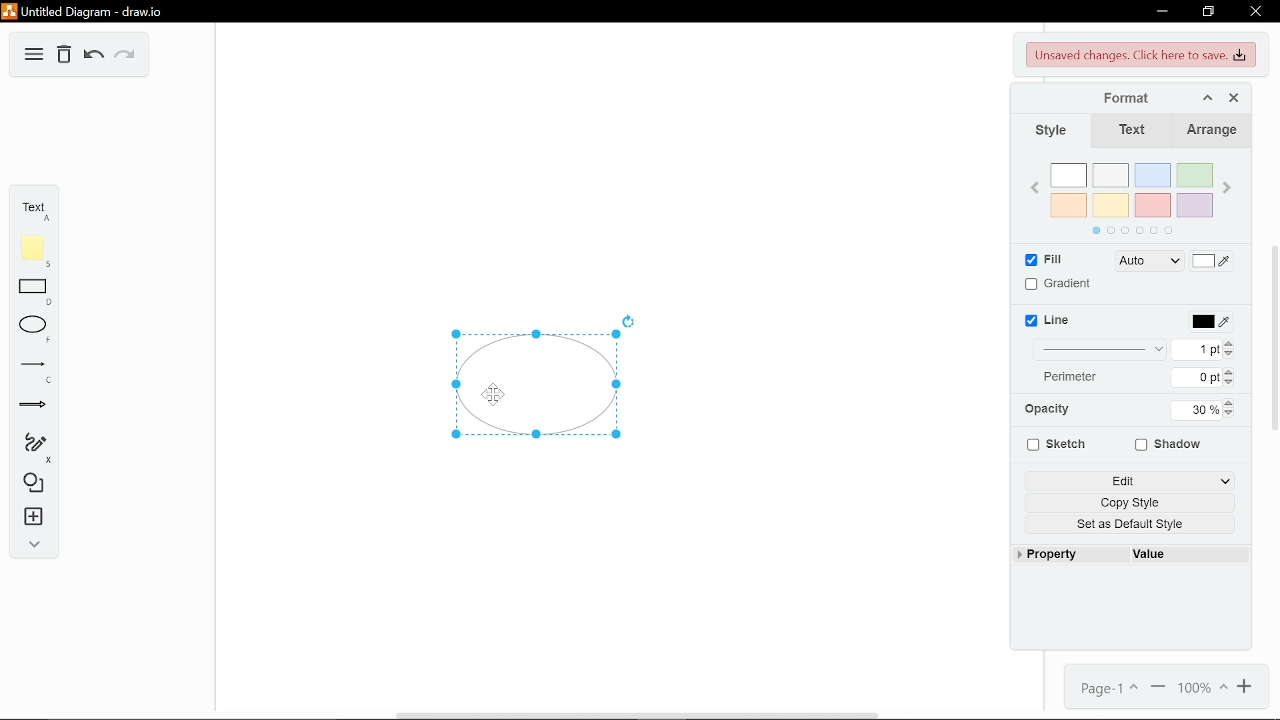  What do you see at coordinates (34, 207) in the screenshot?
I see `Add text` at bounding box center [34, 207].